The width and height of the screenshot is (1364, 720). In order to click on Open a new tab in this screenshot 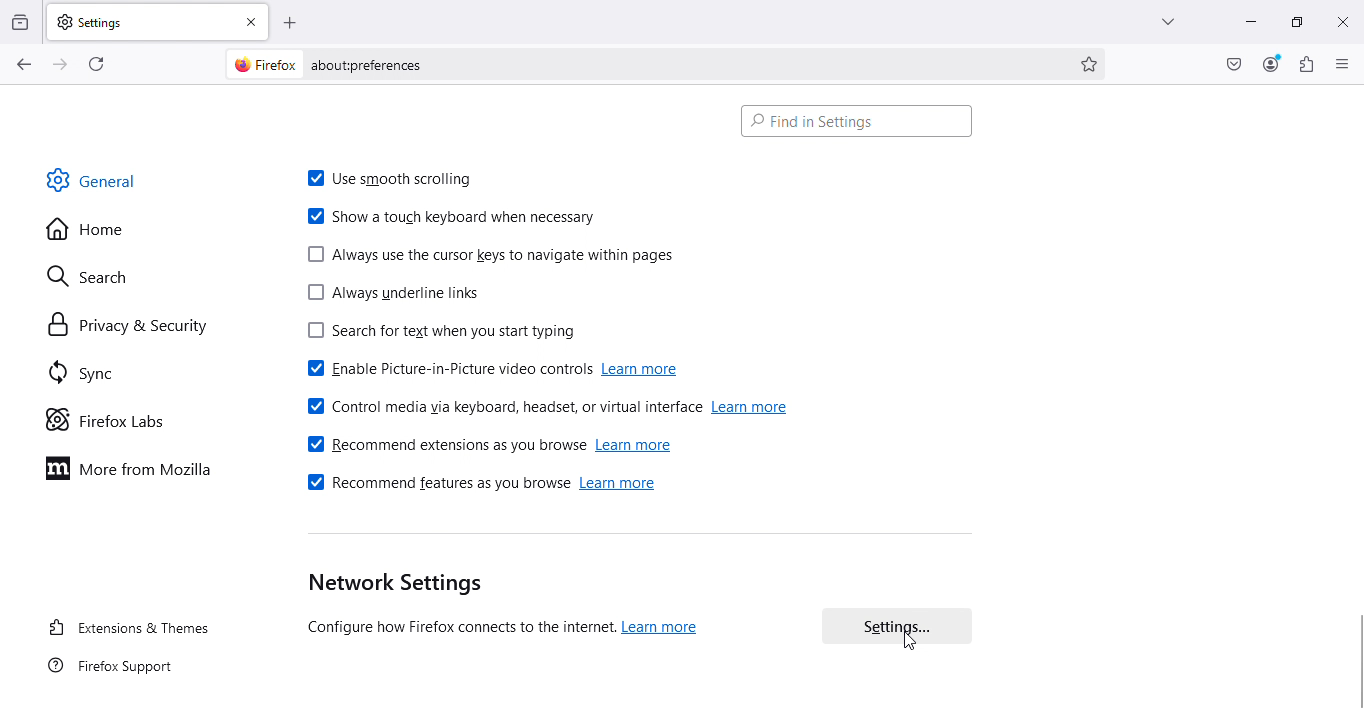, I will do `click(291, 22)`.